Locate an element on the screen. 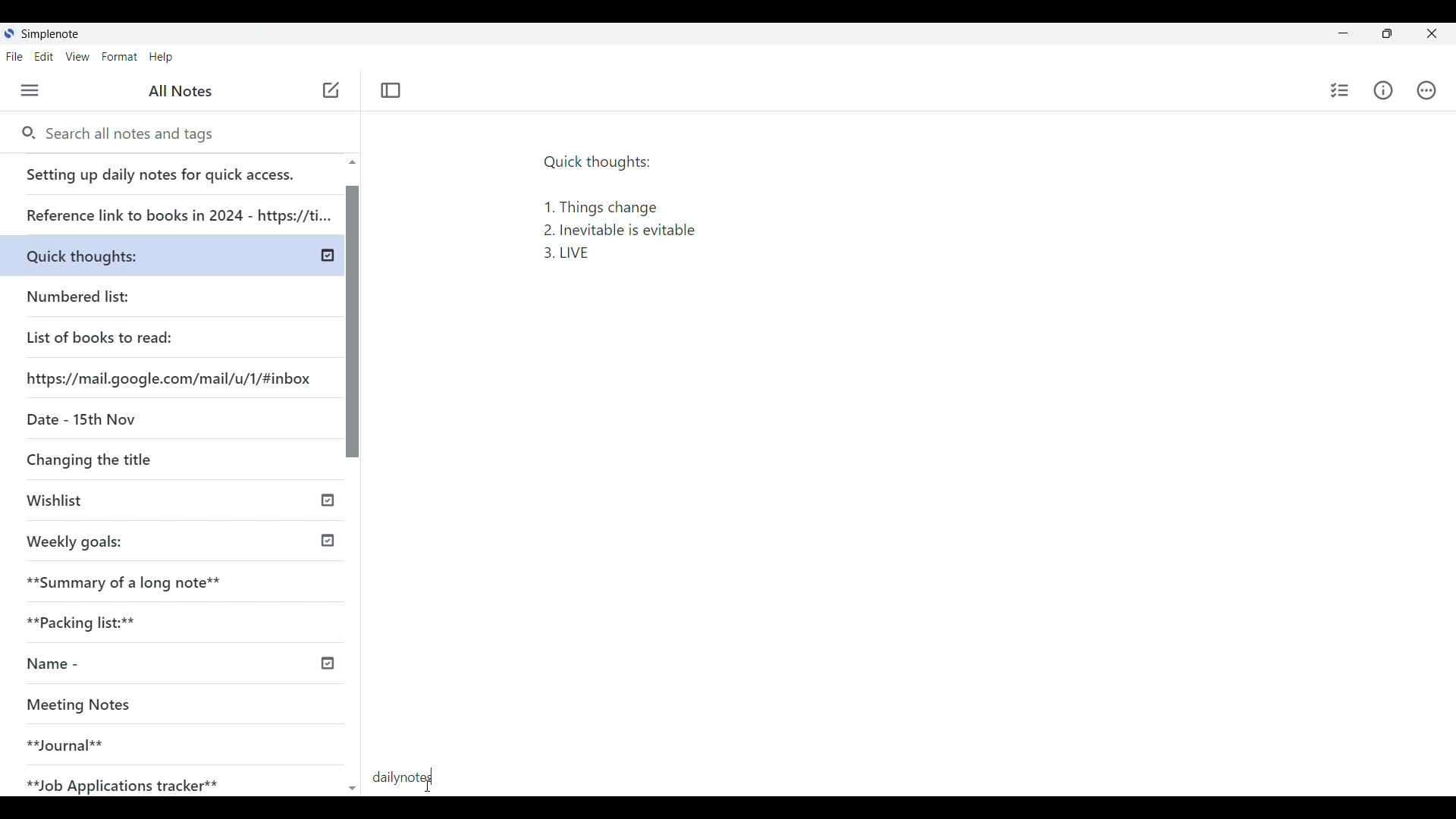 This screenshot has width=1456, height=819. View menu is located at coordinates (77, 57).